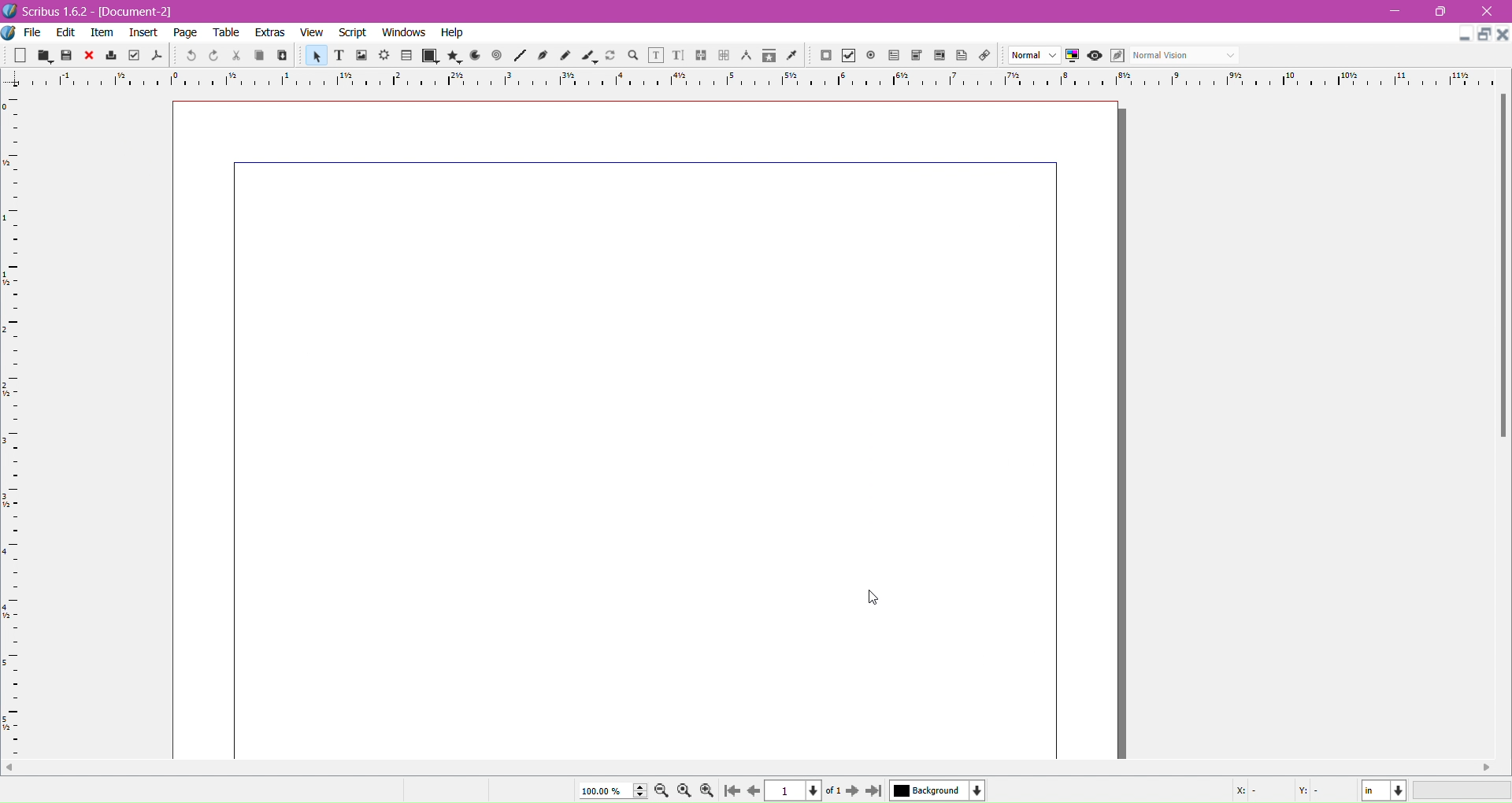  What do you see at coordinates (186, 32) in the screenshot?
I see `Page` at bounding box center [186, 32].